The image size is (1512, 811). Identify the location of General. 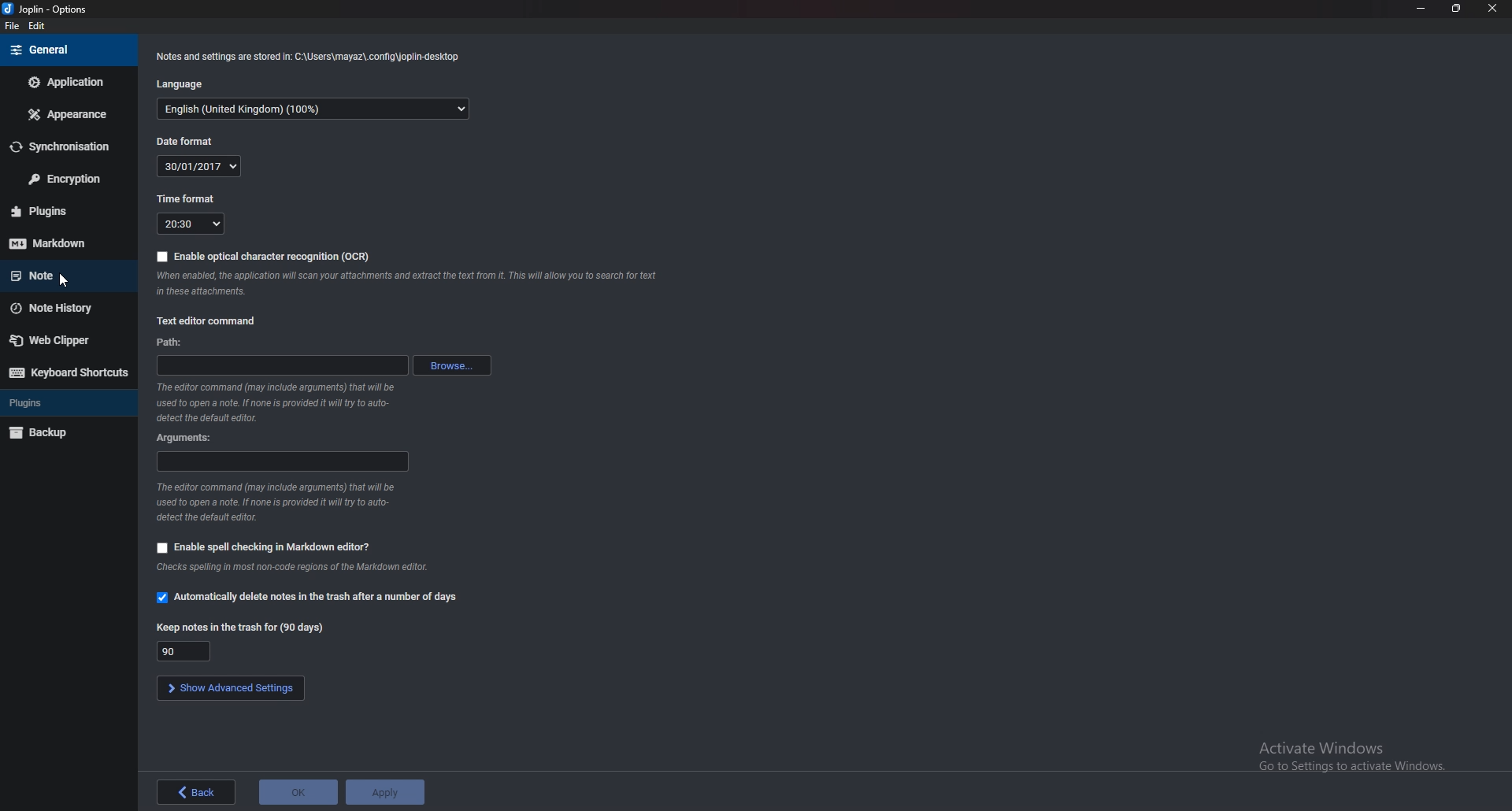
(64, 50).